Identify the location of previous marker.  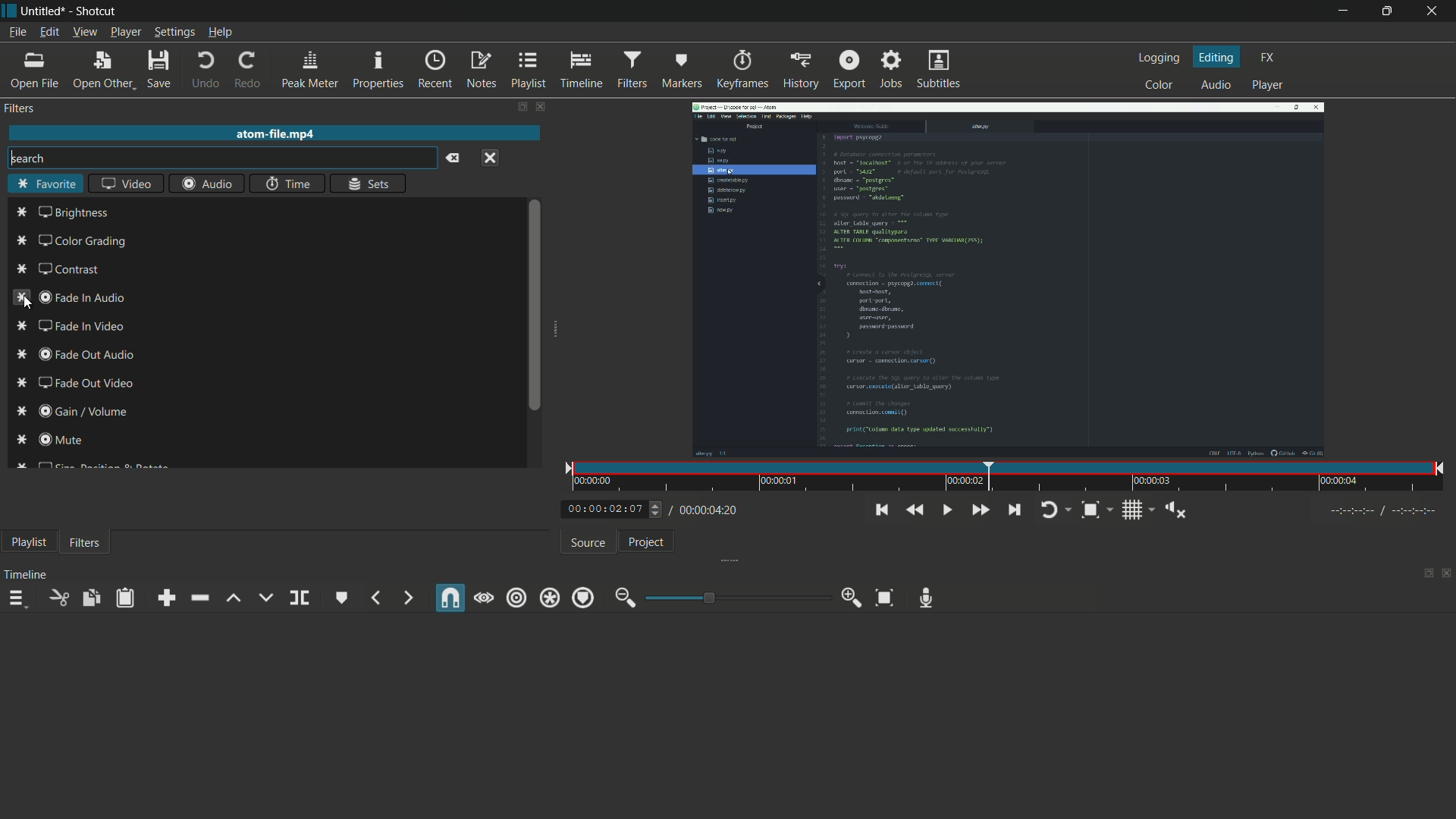
(375, 598).